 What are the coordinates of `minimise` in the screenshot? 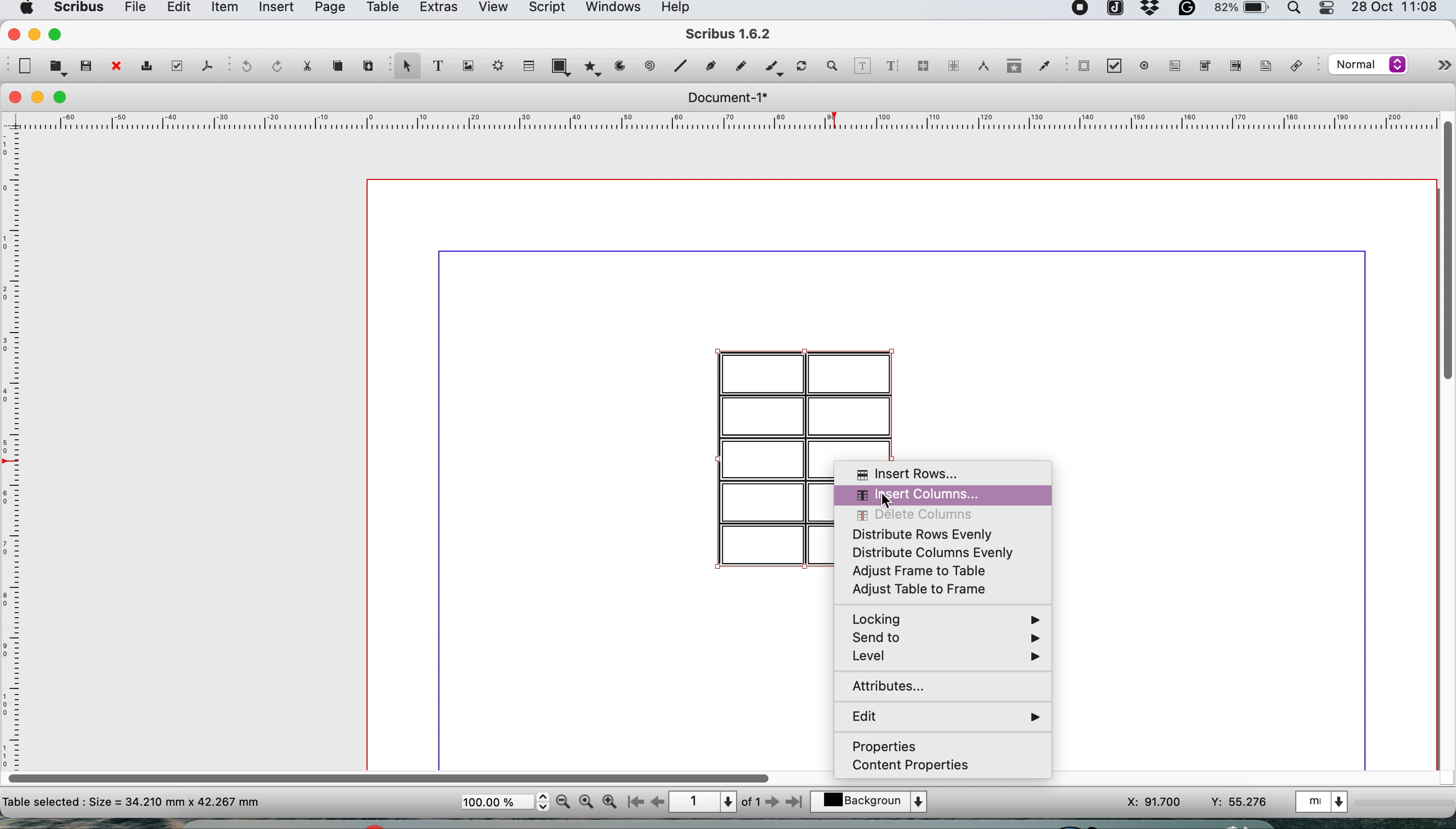 It's located at (39, 98).